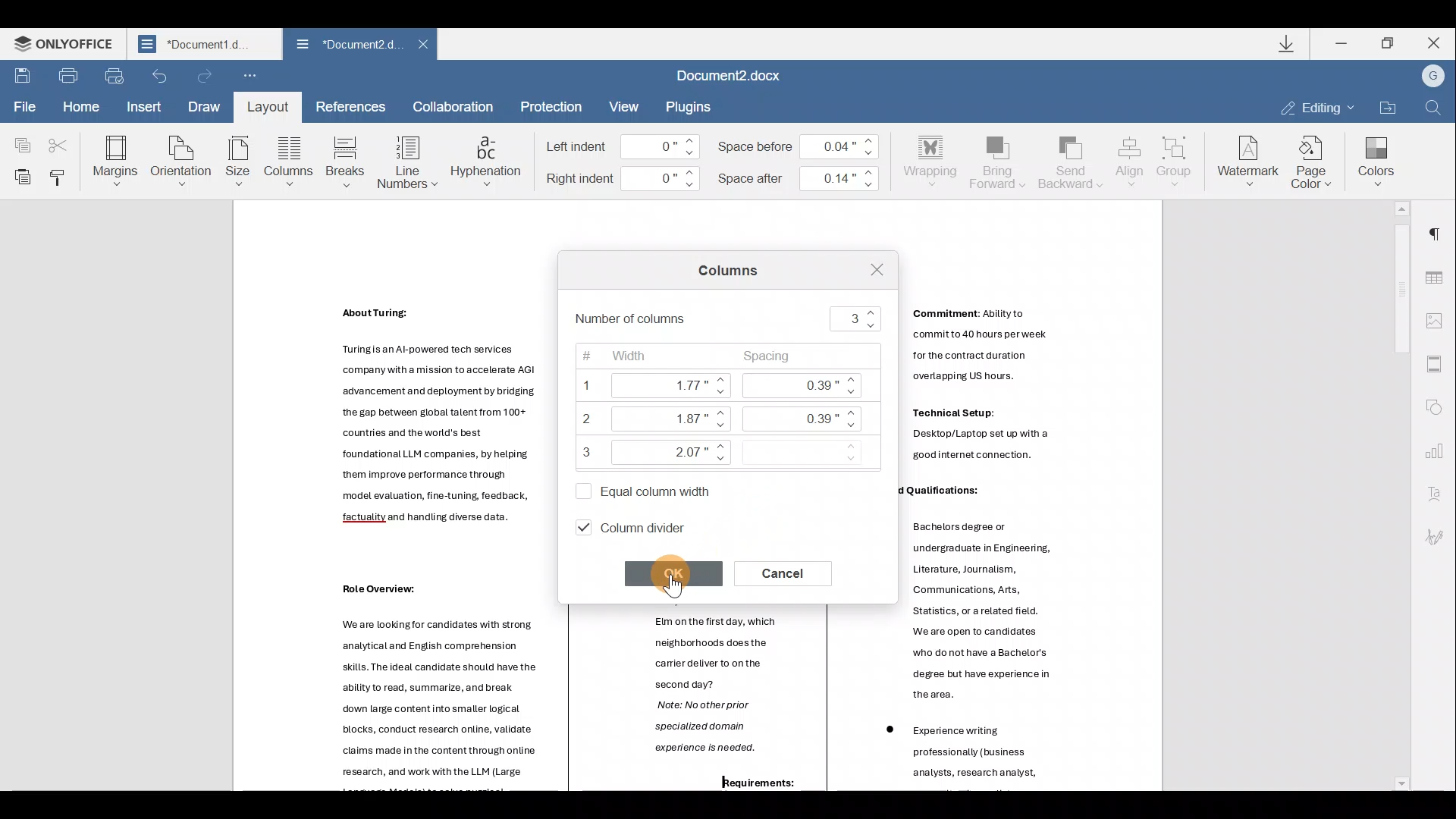  What do you see at coordinates (80, 105) in the screenshot?
I see `Home` at bounding box center [80, 105].